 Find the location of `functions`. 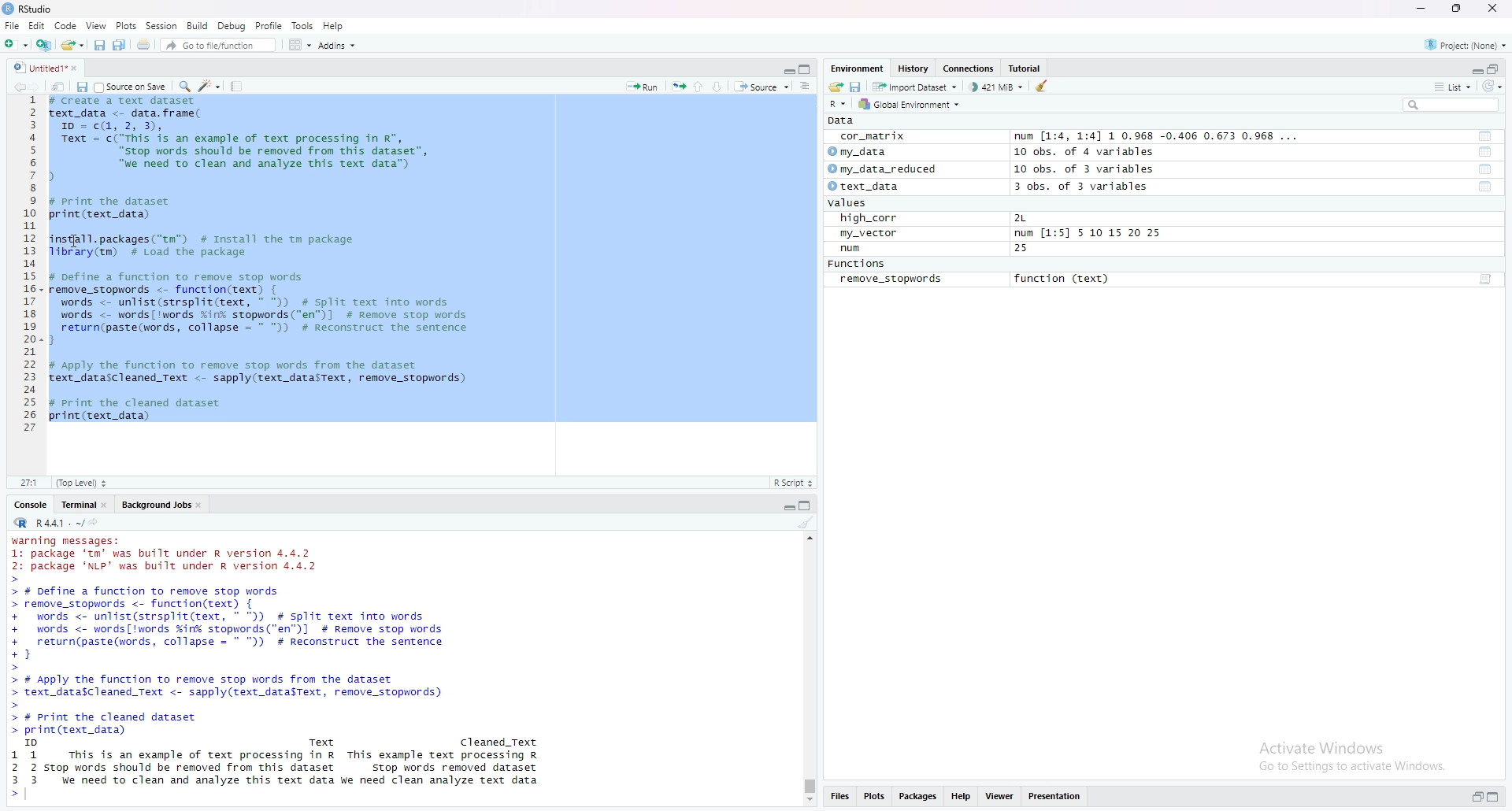

functions is located at coordinates (1486, 187).